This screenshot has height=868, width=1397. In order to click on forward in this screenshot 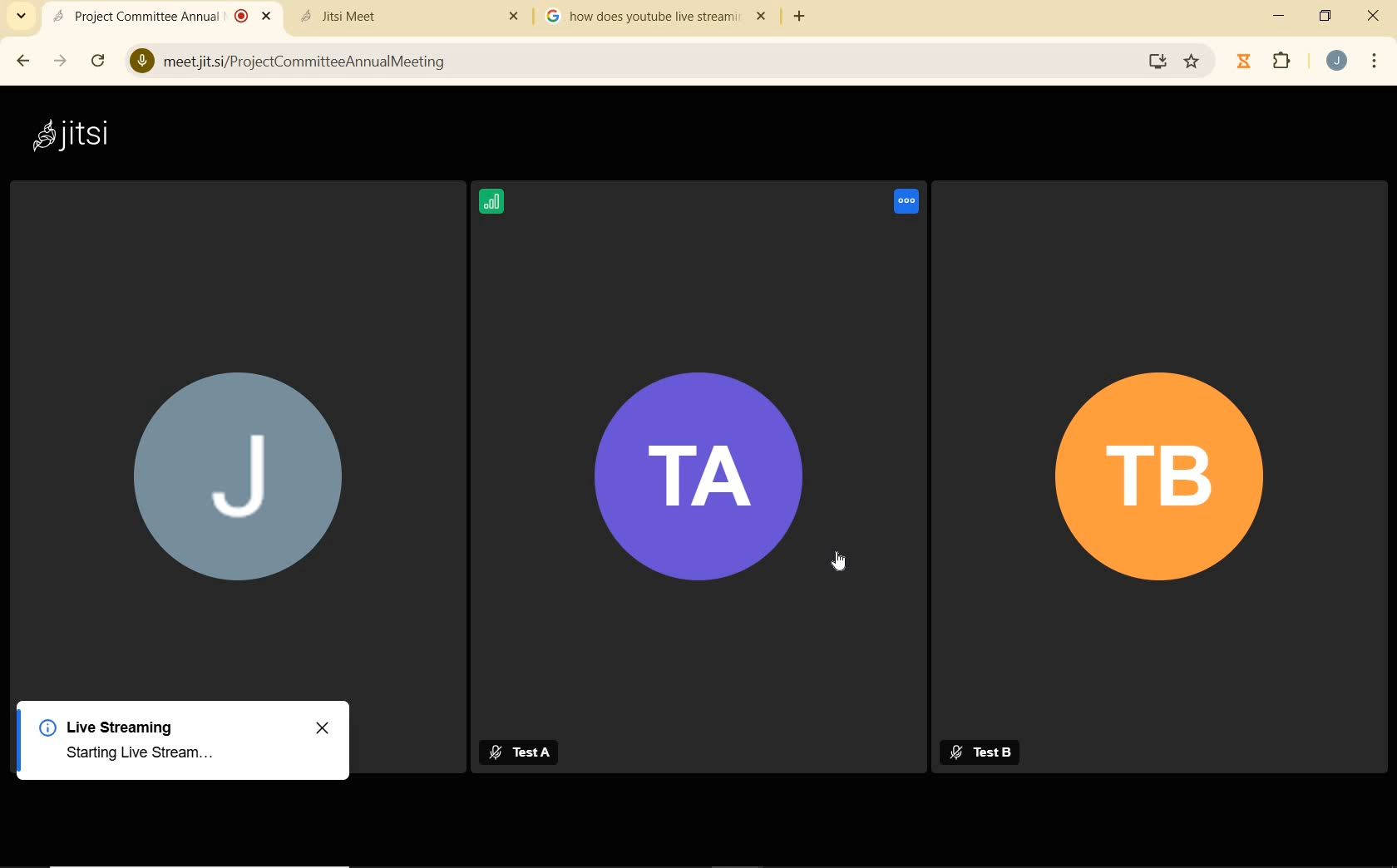, I will do `click(60, 60)`.